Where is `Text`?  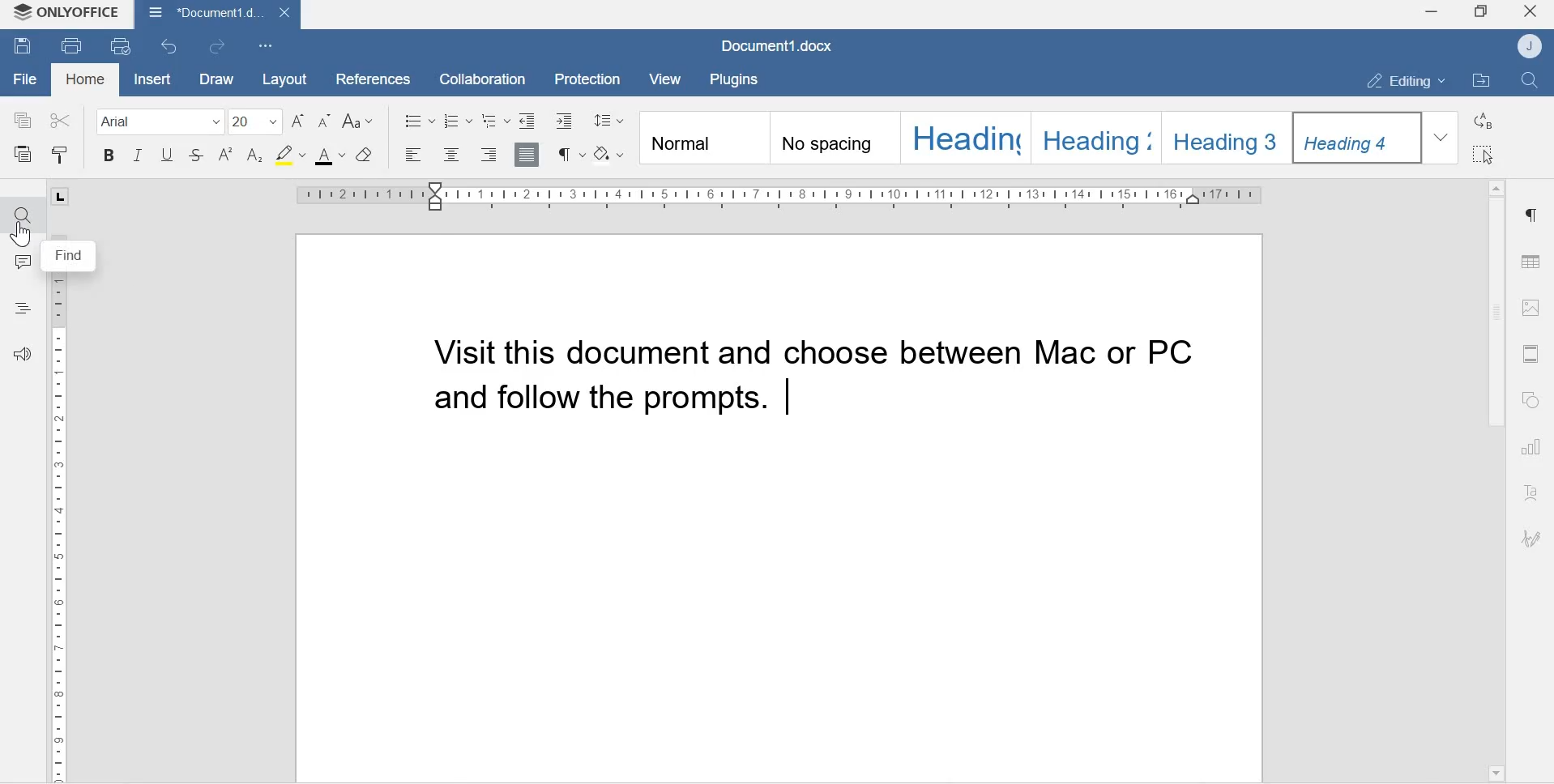
Text is located at coordinates (1533, 494).